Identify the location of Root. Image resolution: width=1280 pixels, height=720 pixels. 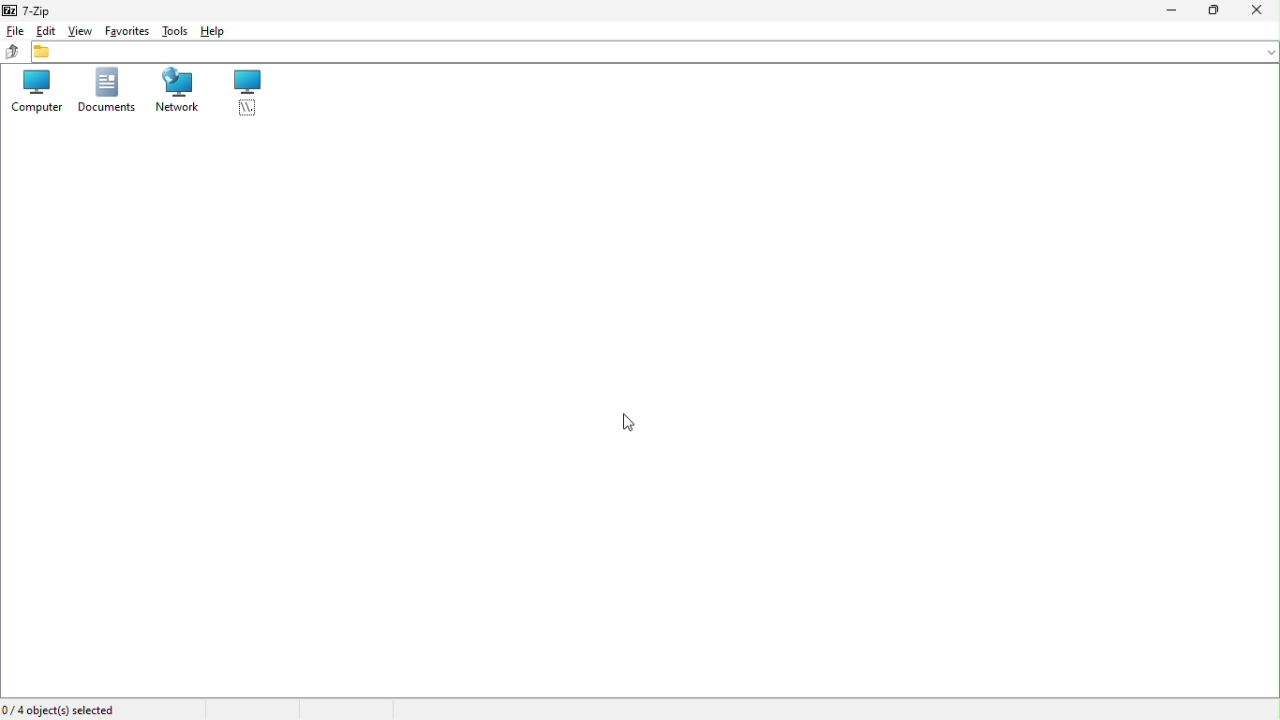
(251, 95).